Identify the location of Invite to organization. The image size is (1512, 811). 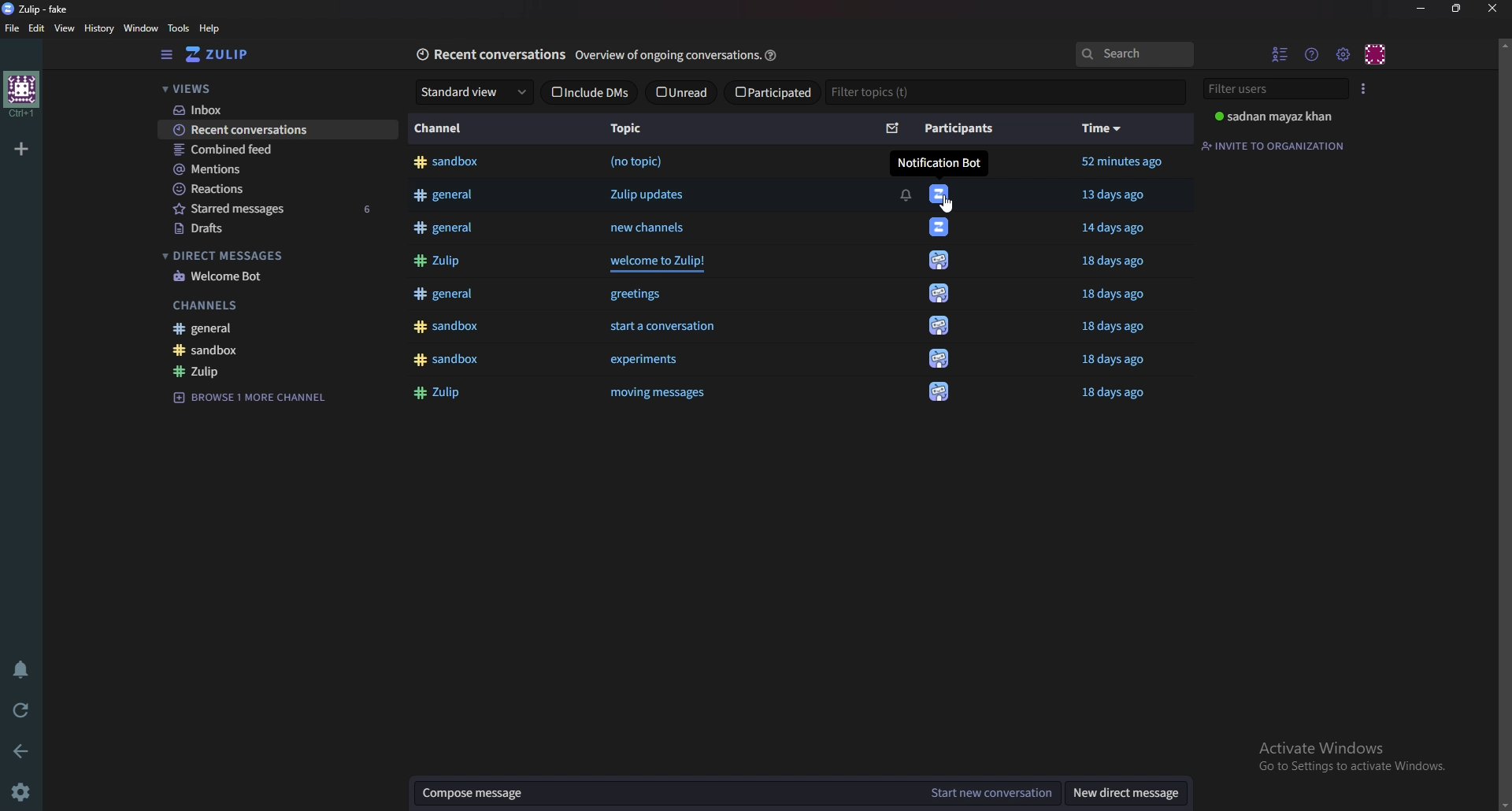
(1273, 146).